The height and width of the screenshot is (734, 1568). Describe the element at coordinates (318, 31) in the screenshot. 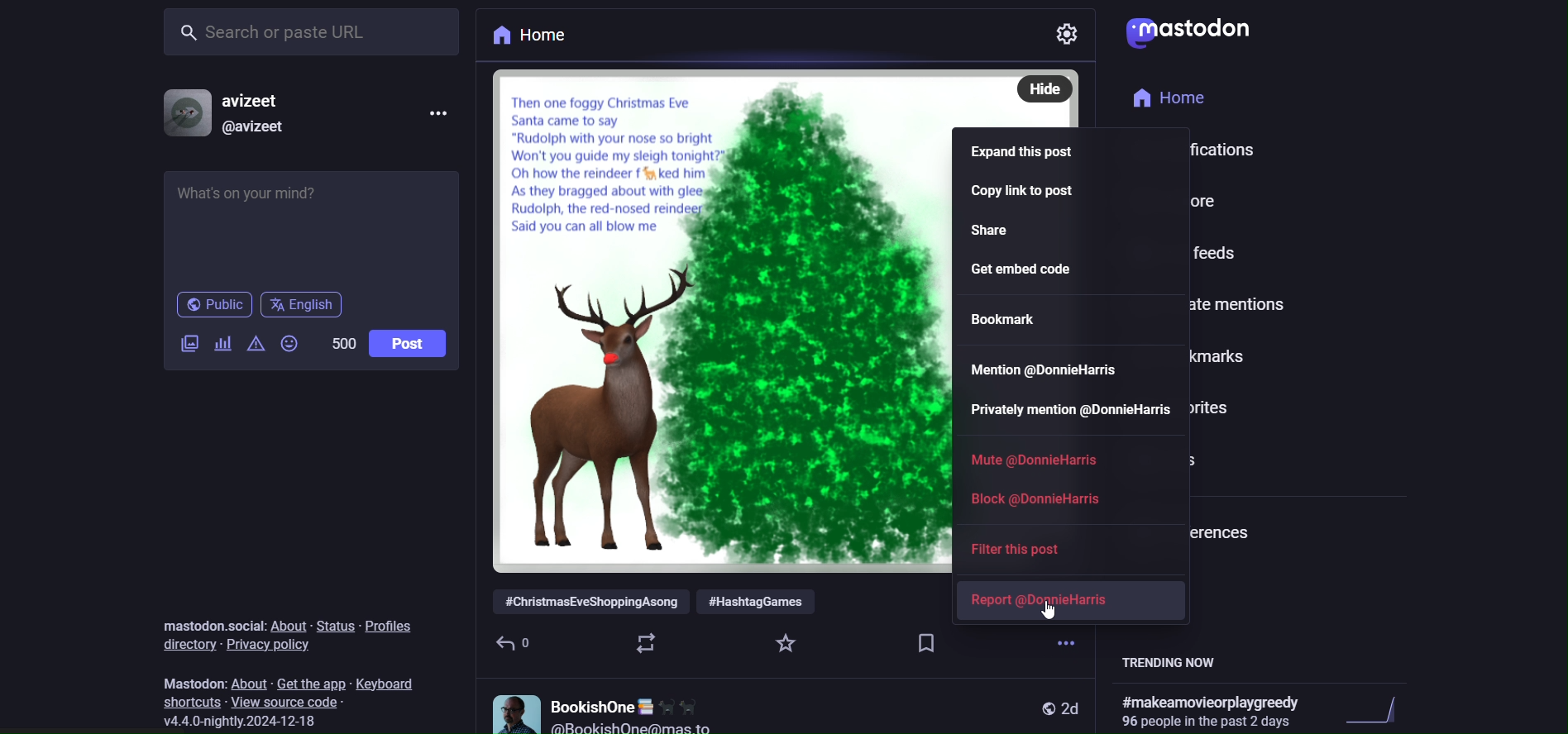

I see `search` at that location.